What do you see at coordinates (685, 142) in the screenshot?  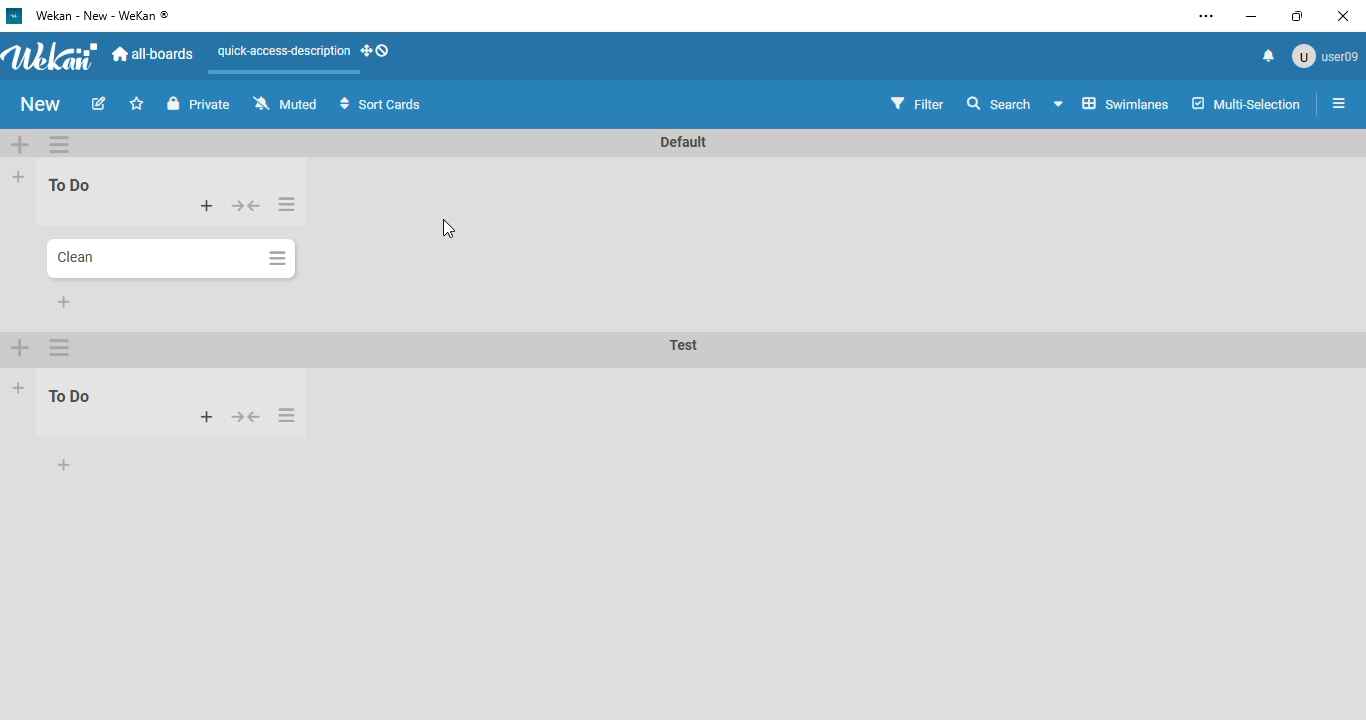 I see `swimlane name` at bounding box center [685, 142].